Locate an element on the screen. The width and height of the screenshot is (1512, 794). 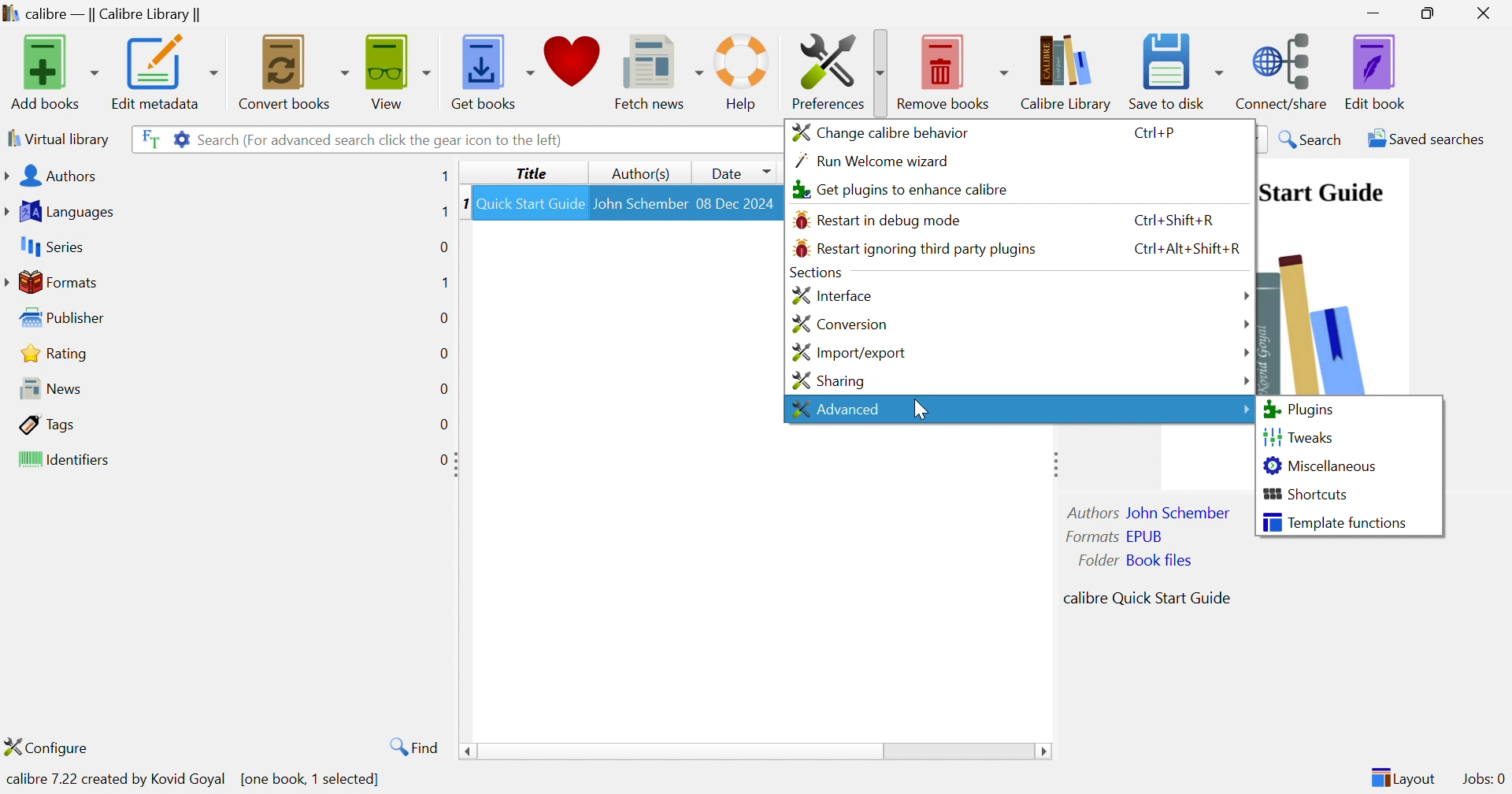
Ctrl+Shift+Alt+R is located at coordinates (1186, 246).